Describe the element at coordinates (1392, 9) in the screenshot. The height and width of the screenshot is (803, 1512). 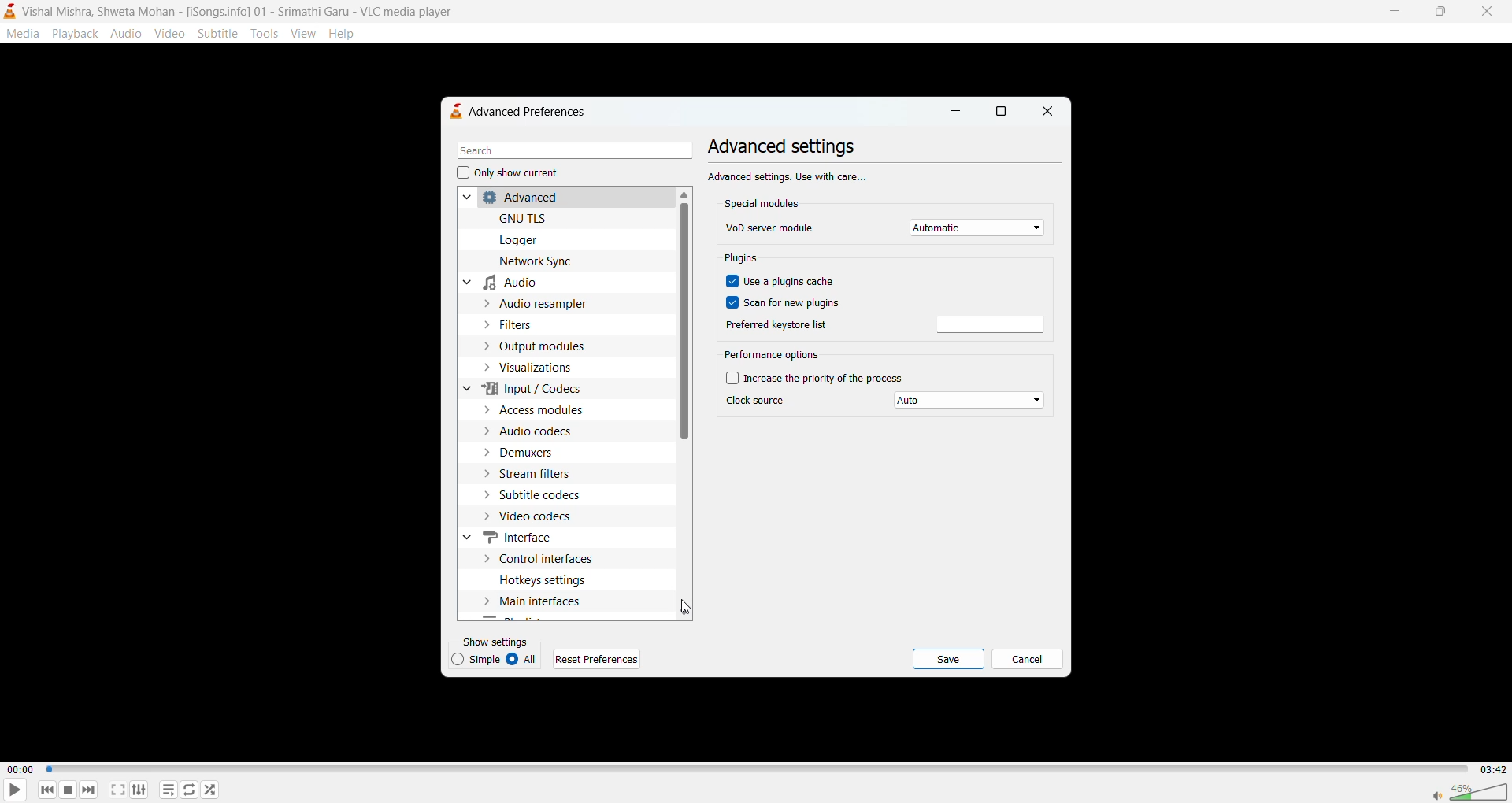
I see `minimize` at that location.